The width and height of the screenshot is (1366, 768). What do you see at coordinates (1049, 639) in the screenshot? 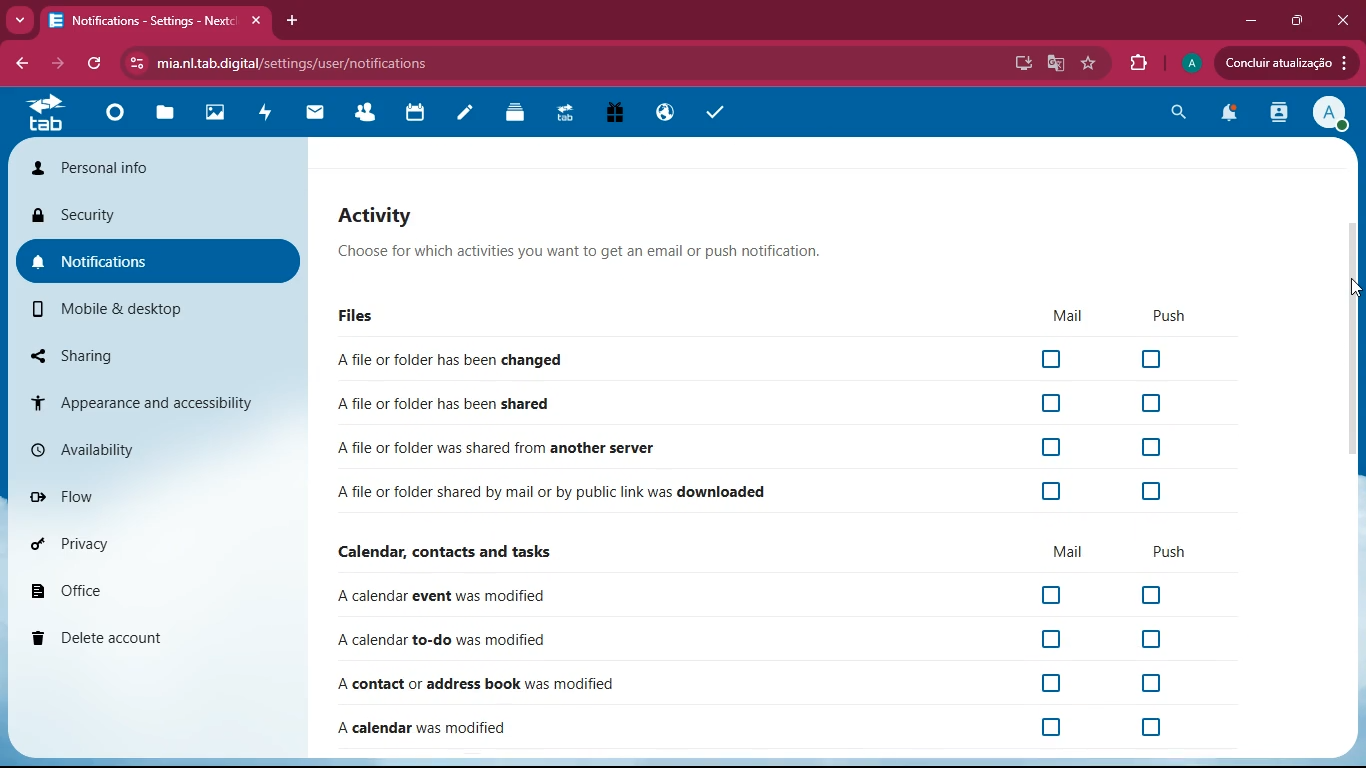
I see `off` at bounding box center [1049, 639].